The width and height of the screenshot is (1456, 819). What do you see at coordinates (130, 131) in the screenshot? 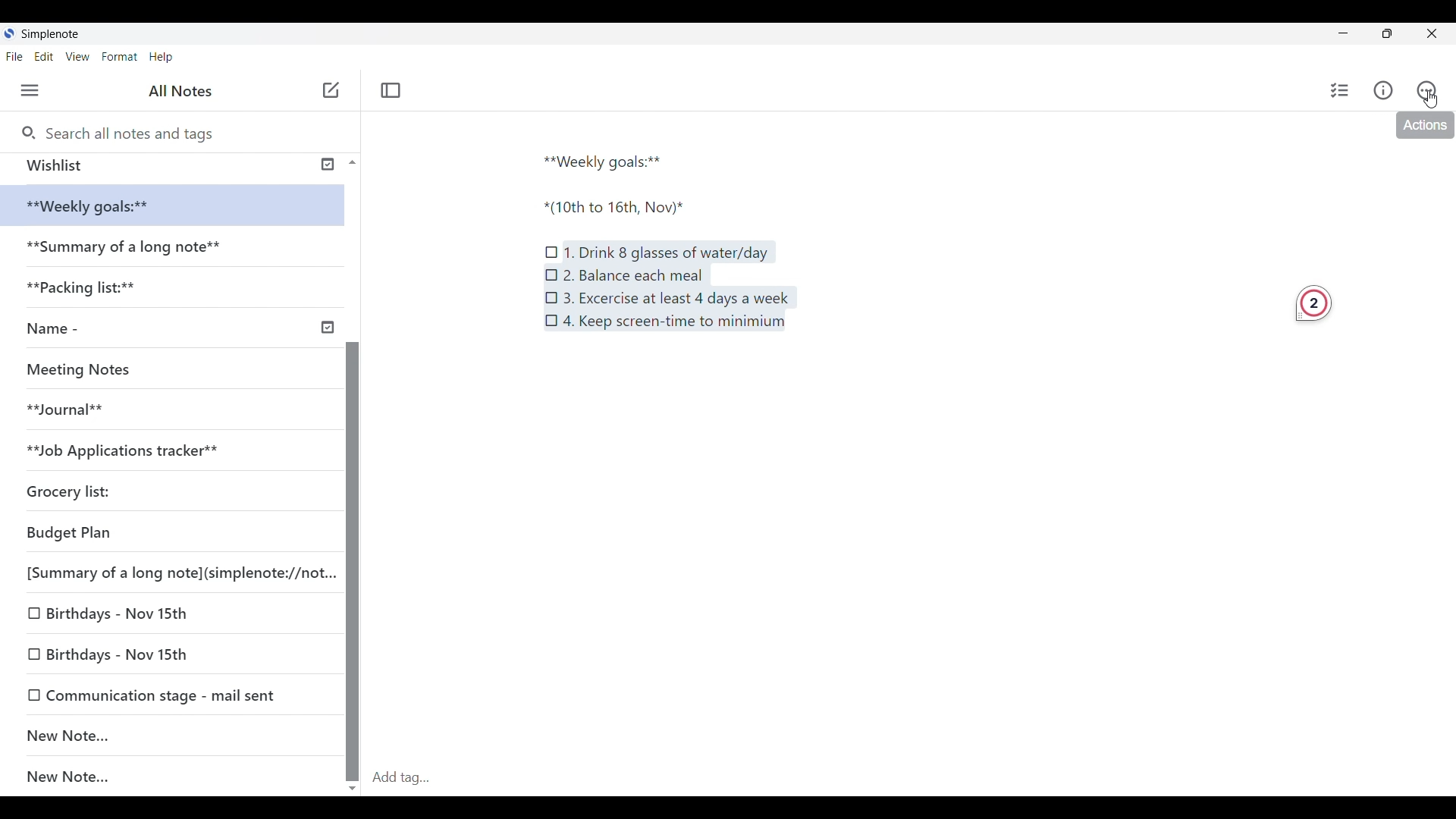
I see `Search all notes and tags` at bounding box center [130, 131].